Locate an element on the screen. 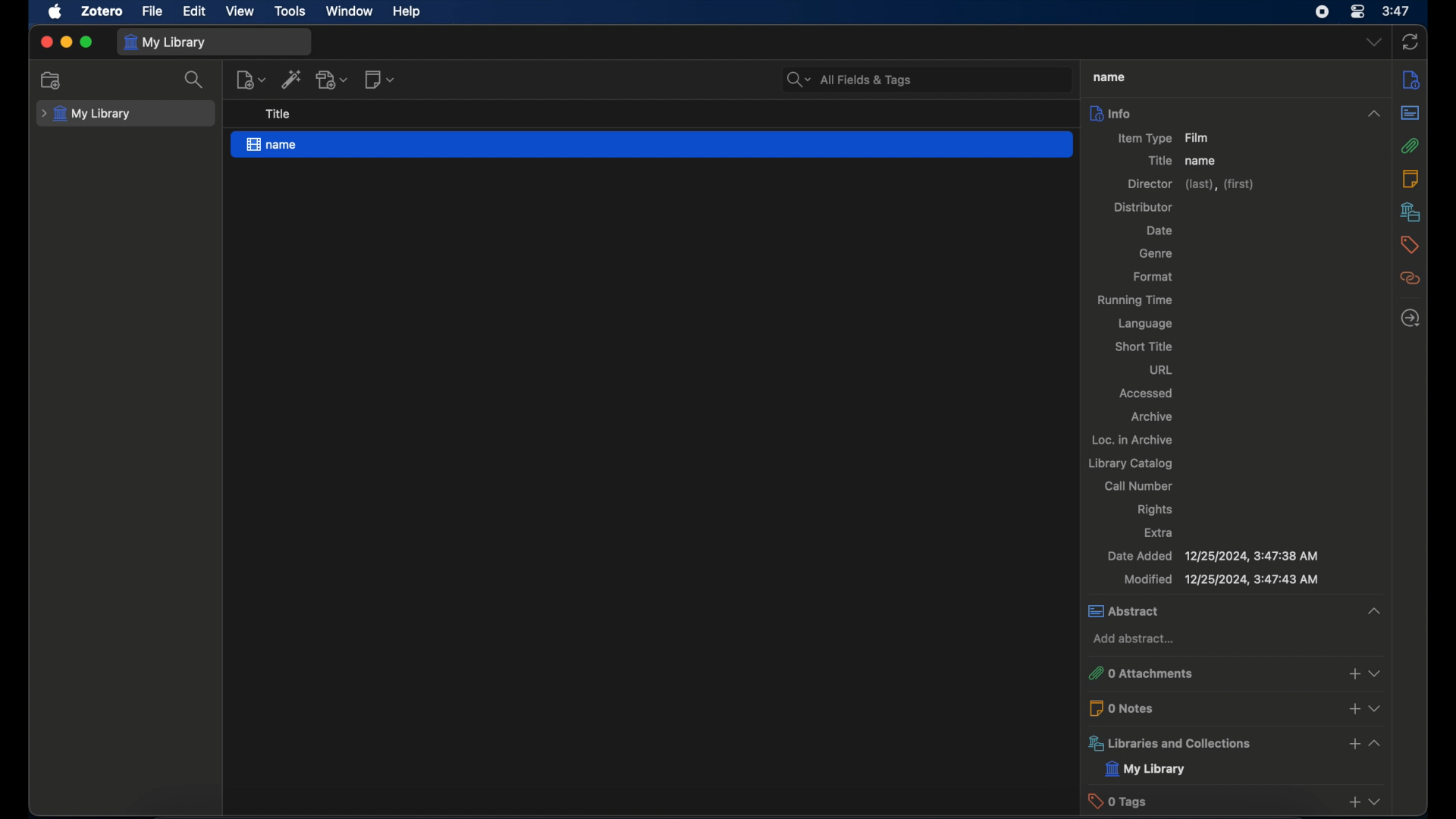 The height and width of the screenshot is (819, 1456). zotero is located at coordinates (103, 11).